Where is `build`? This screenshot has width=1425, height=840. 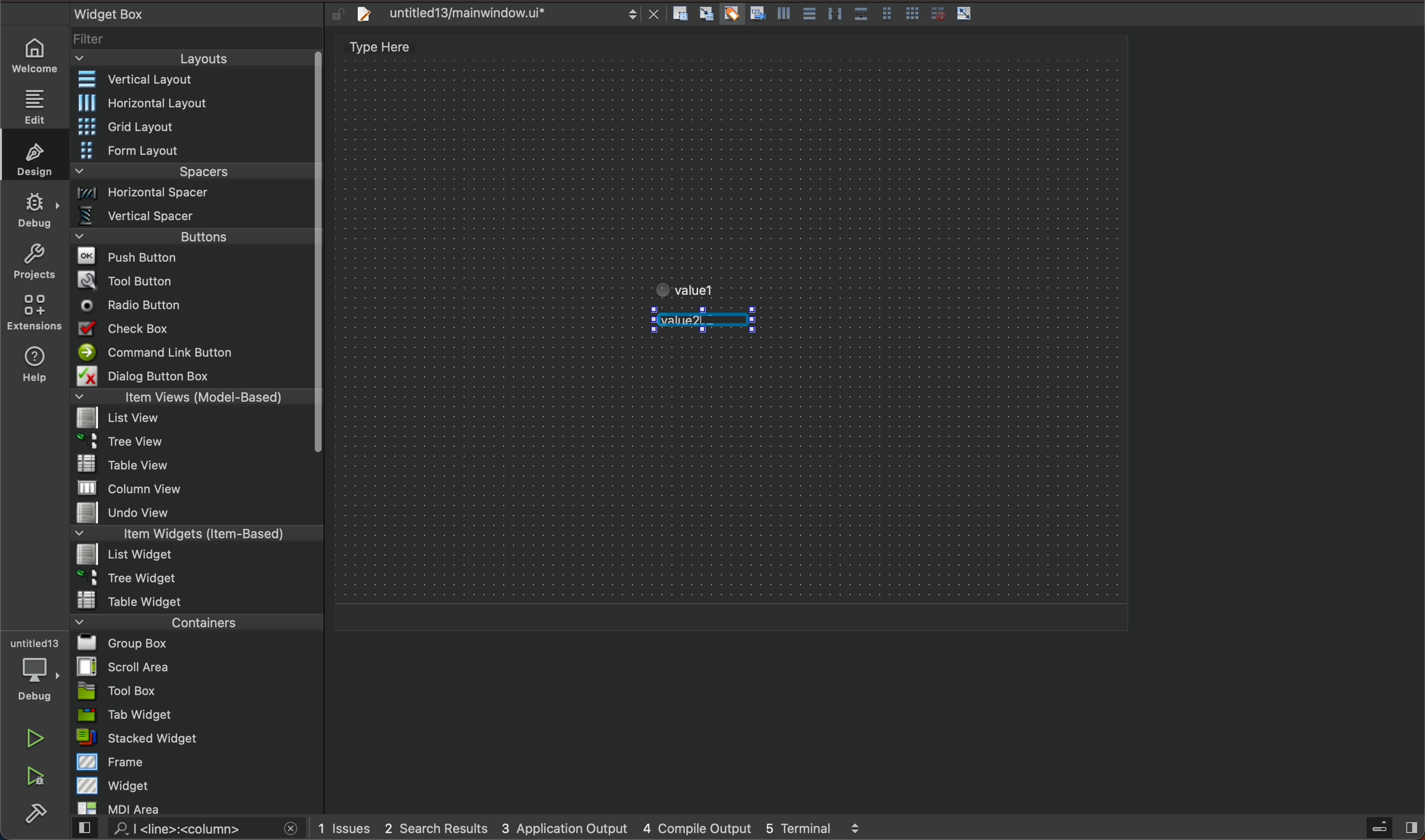
build is located at coordinates (36, 815).